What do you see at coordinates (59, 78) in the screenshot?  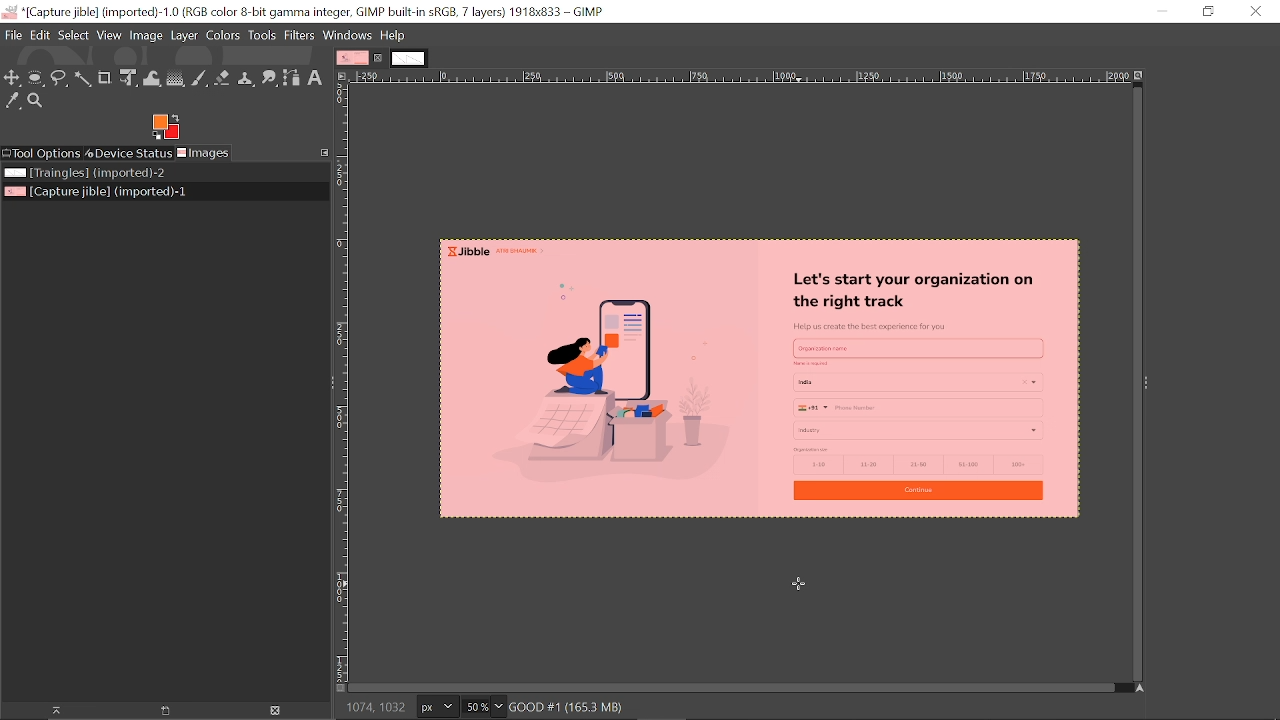 I see `Free select tool` at bounding box center [59, 78].